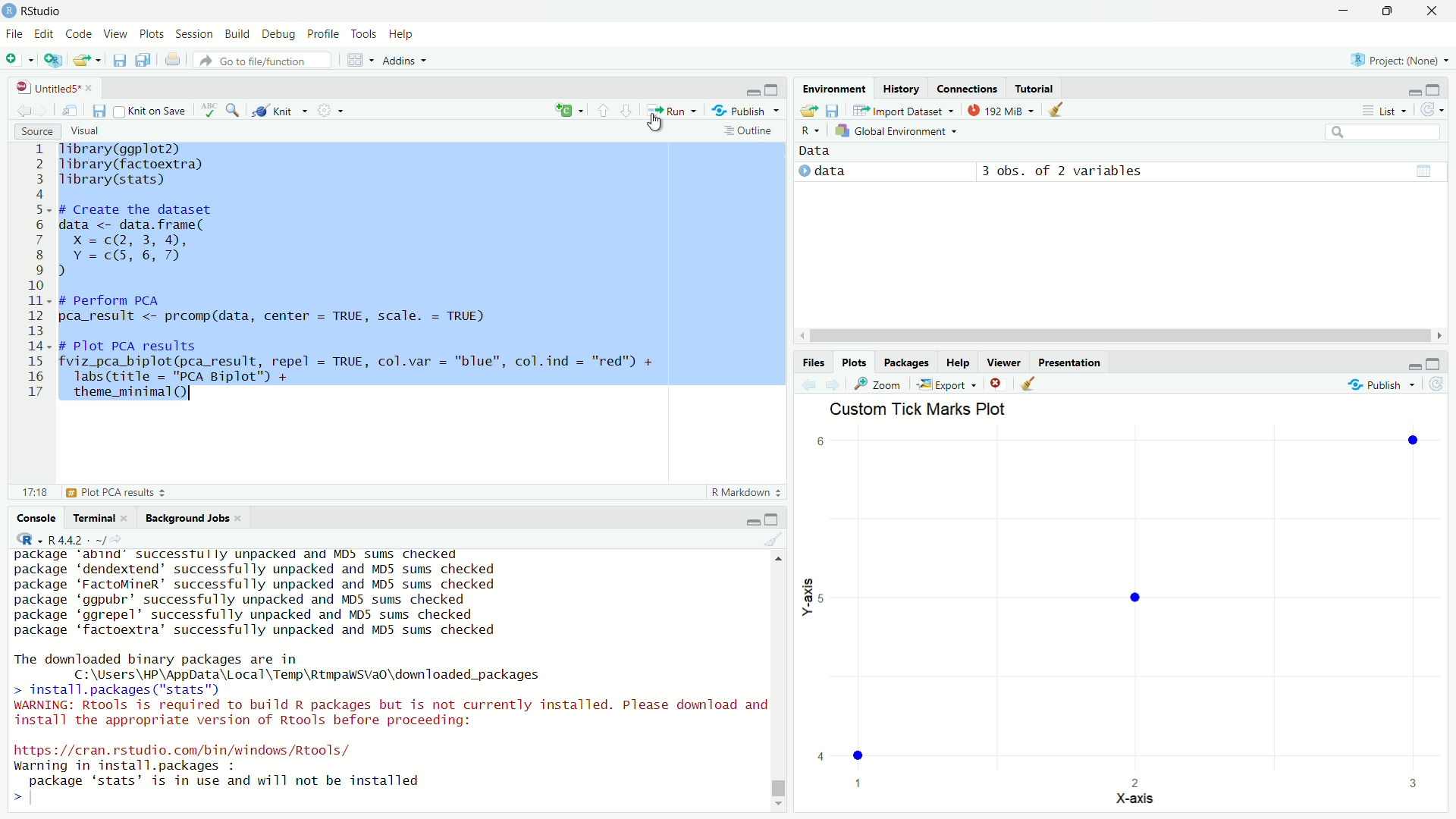 Image resolution: width=1456 pixels, height=819 pixels. I want to click on clear all plots, so click(1029, 383).